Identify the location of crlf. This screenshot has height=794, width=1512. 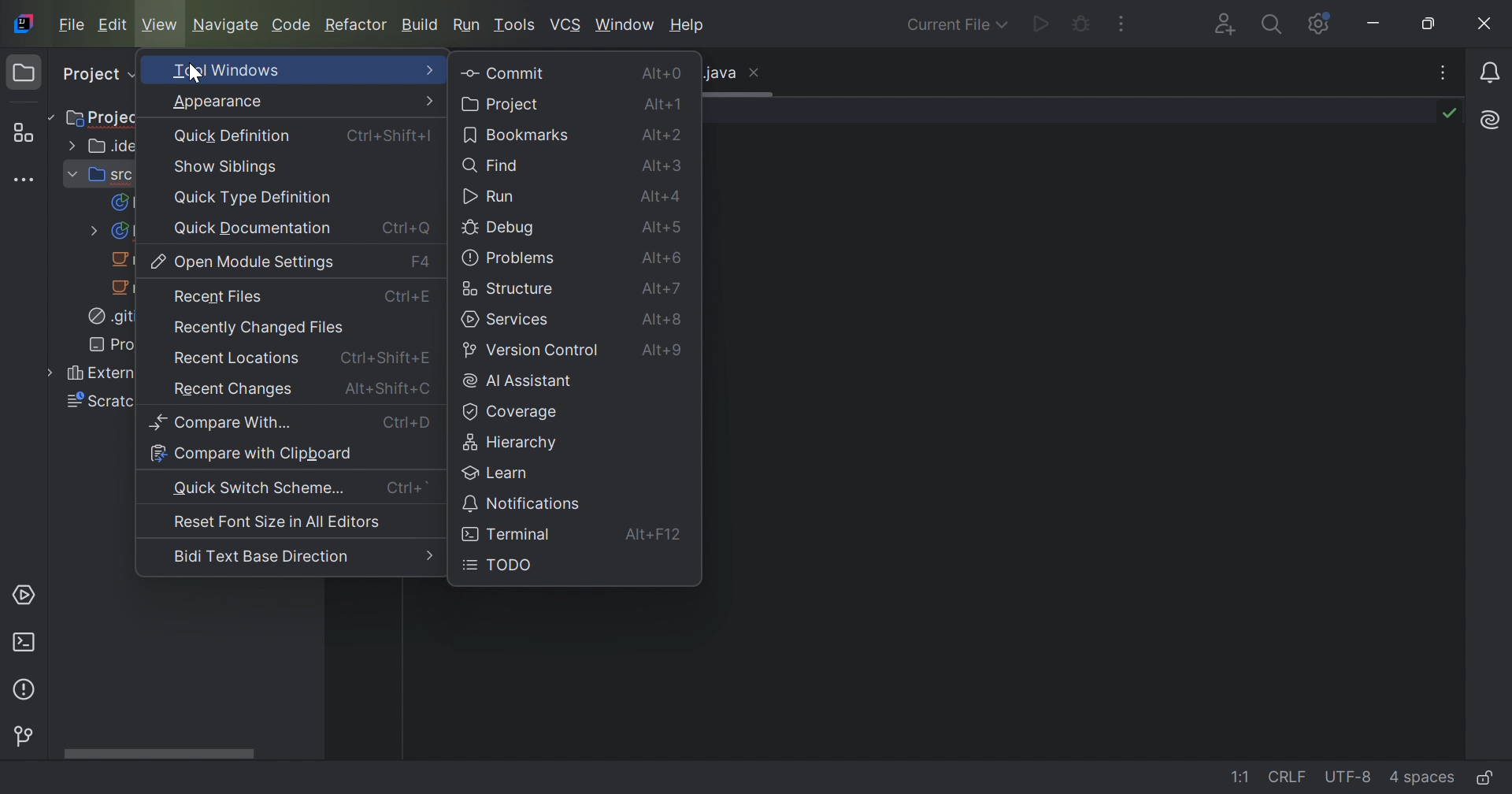
(1290, 777).